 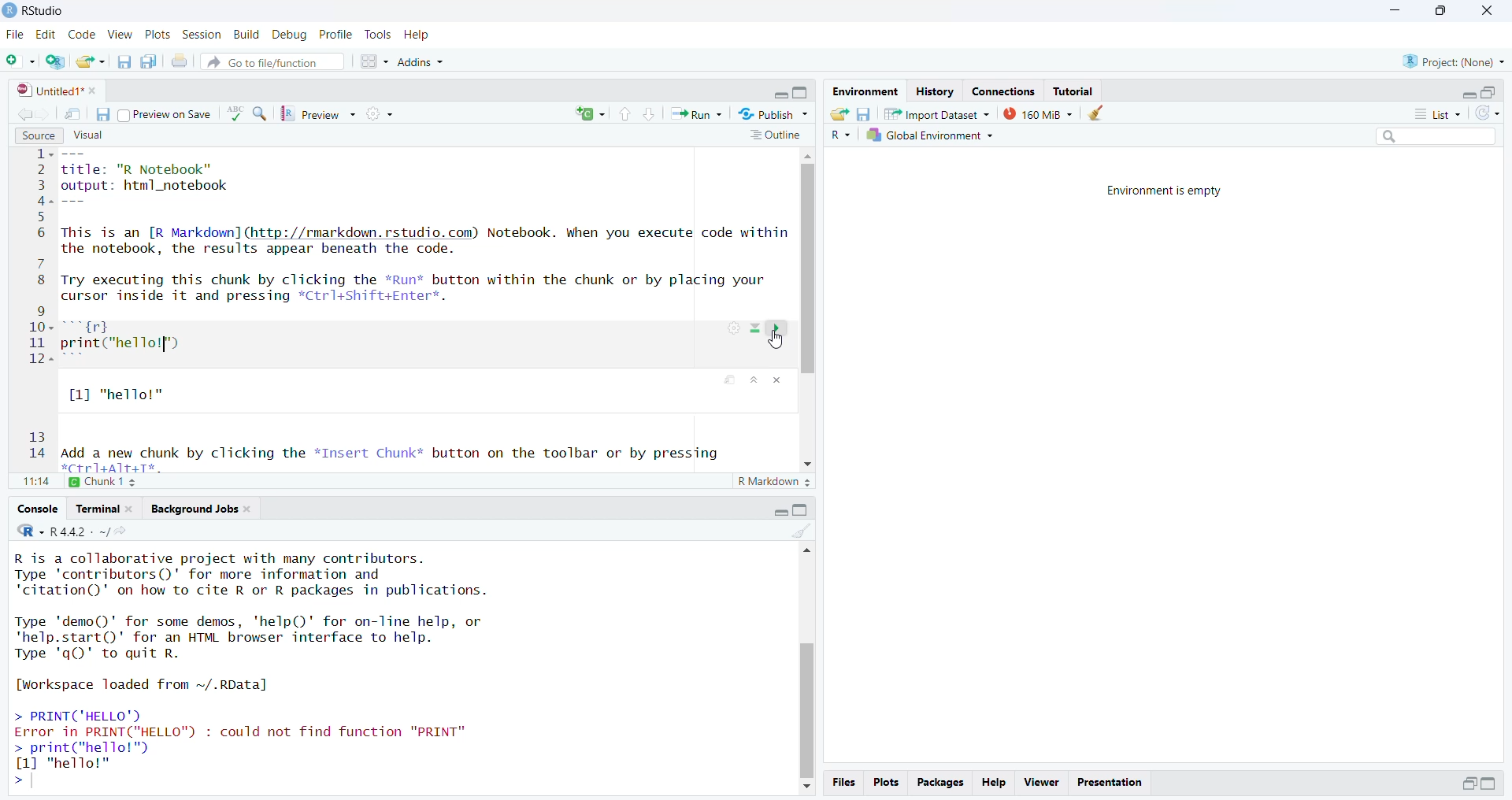 I want to click on open an existing file, so click(x=91, y=61).